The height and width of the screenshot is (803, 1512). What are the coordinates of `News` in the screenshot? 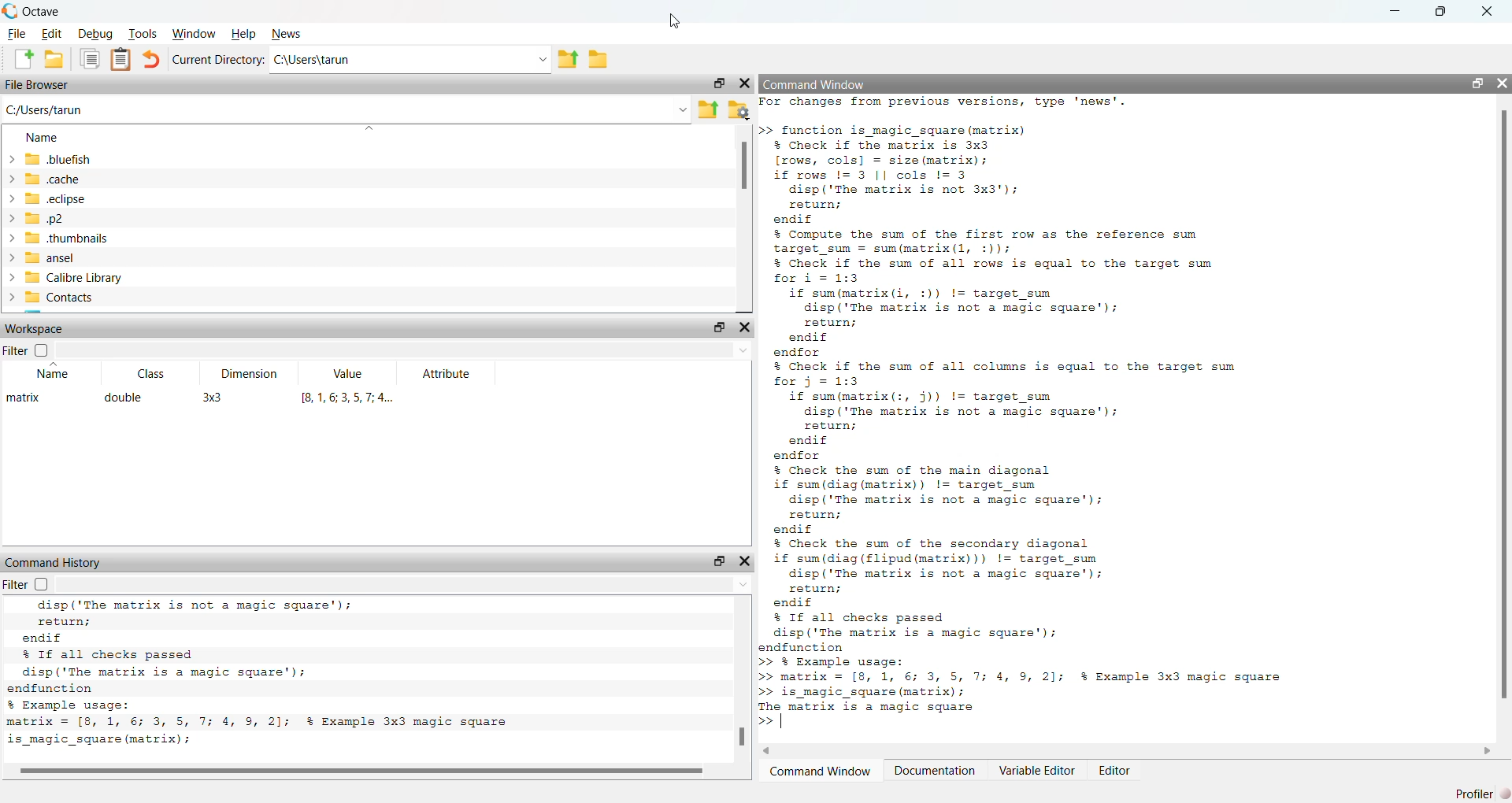 It's located at (287, 34).